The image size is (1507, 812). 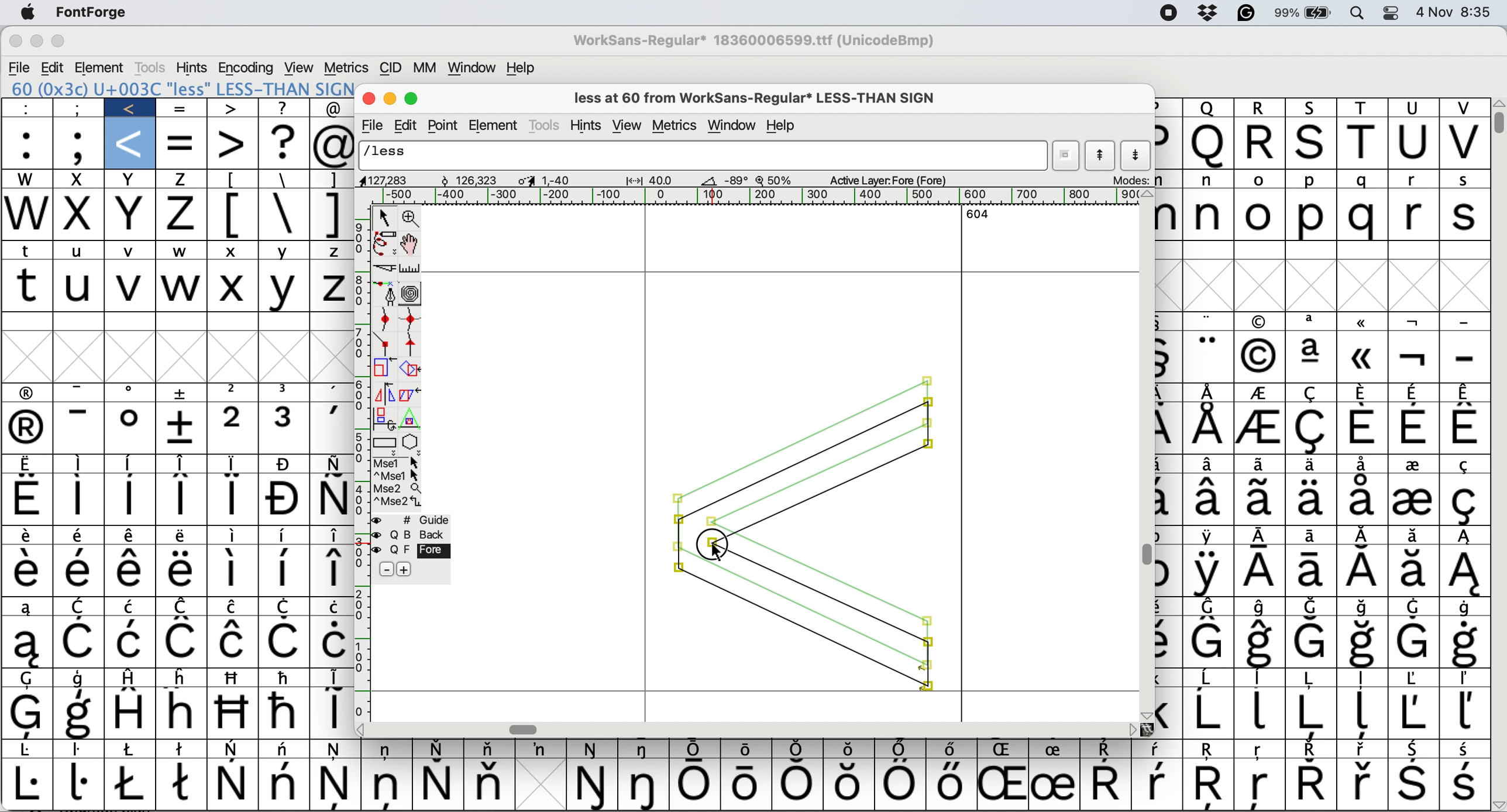 I want to click on ?, so click(x=284, y=142).